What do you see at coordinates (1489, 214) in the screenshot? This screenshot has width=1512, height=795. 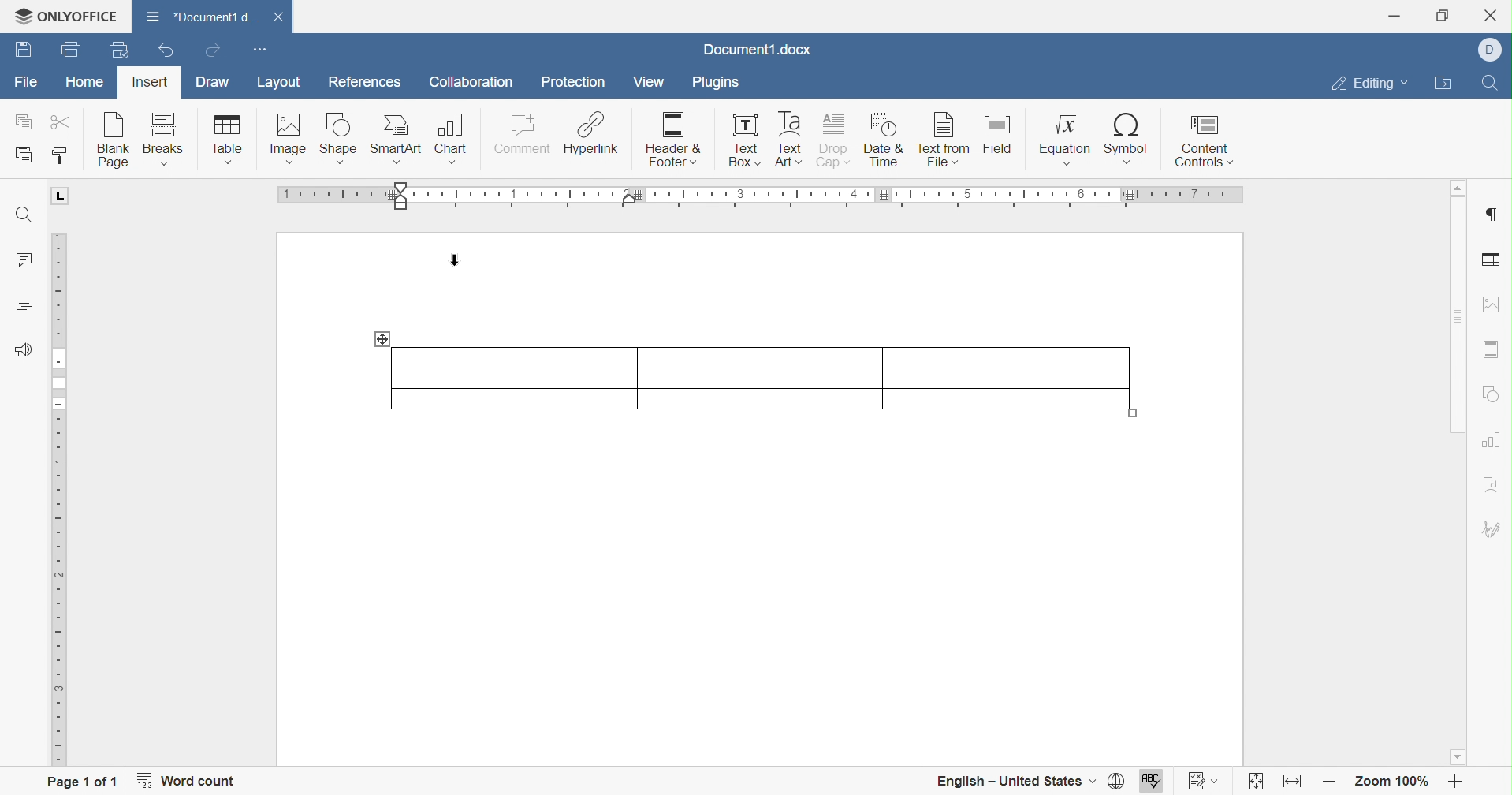 I see `Insert paragraph` at bounding box center [1489, 214].